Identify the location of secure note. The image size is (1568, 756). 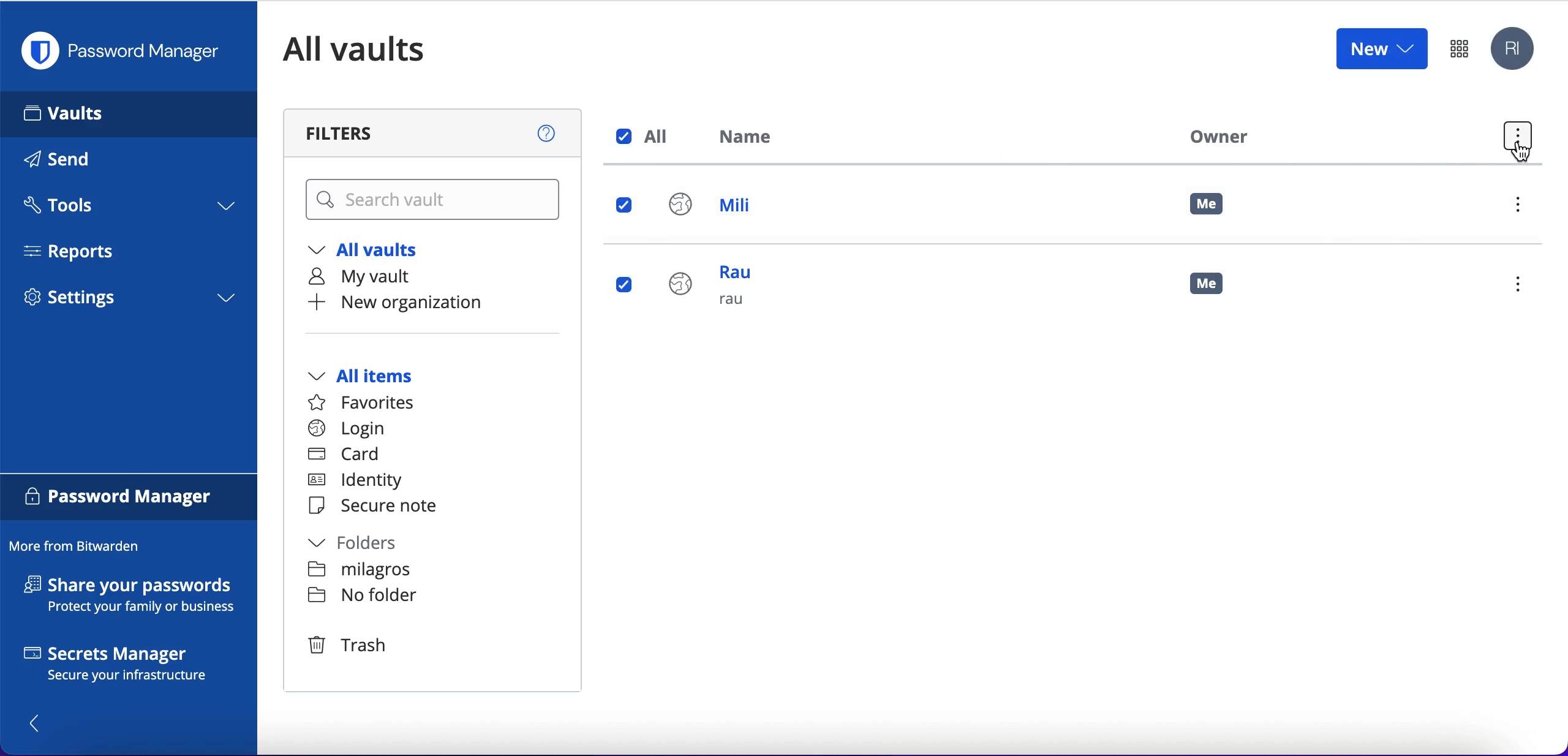
(379, 507).